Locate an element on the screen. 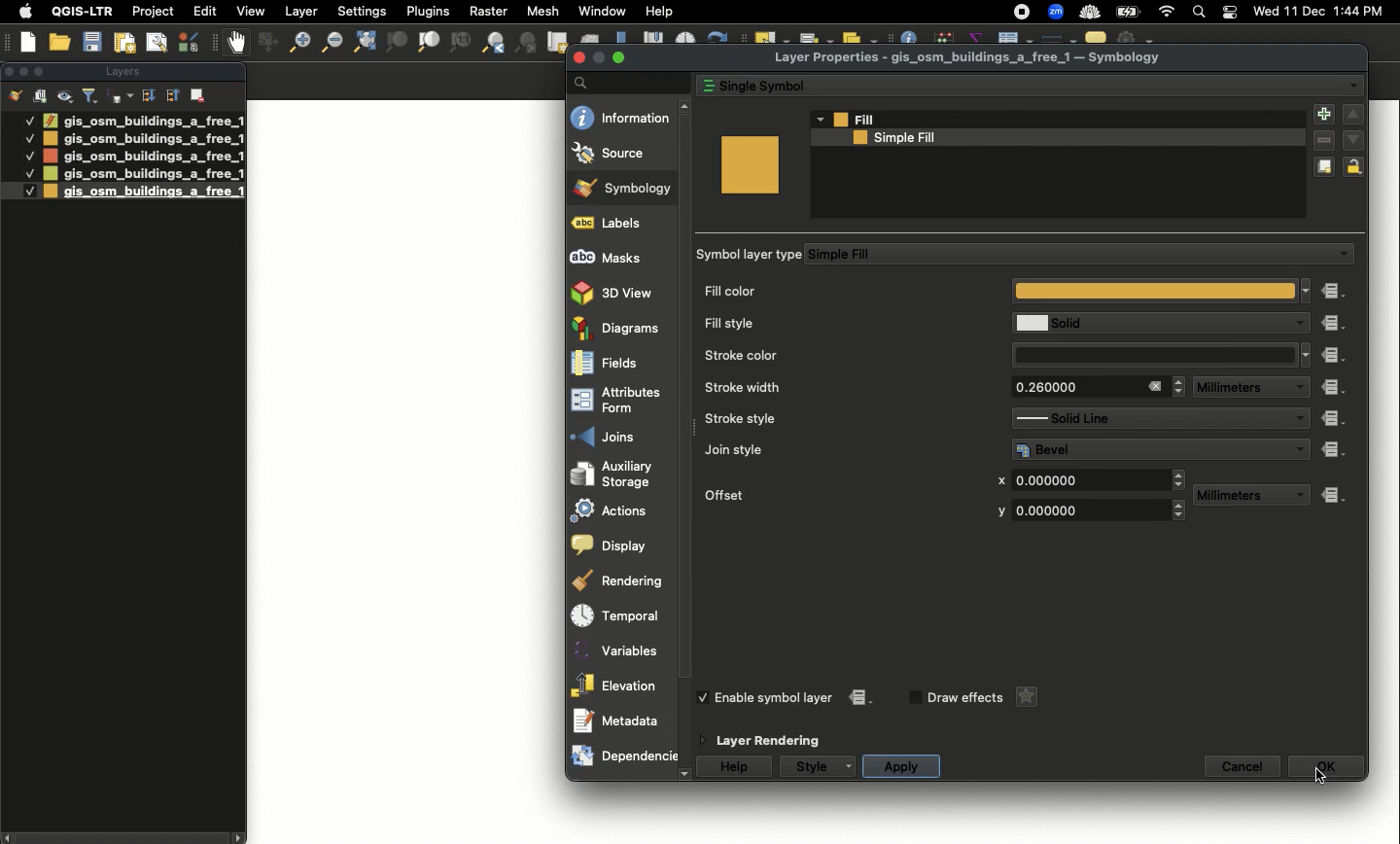  gis_osm_buildings_a_free_1 is located at coordinates (144, 139).